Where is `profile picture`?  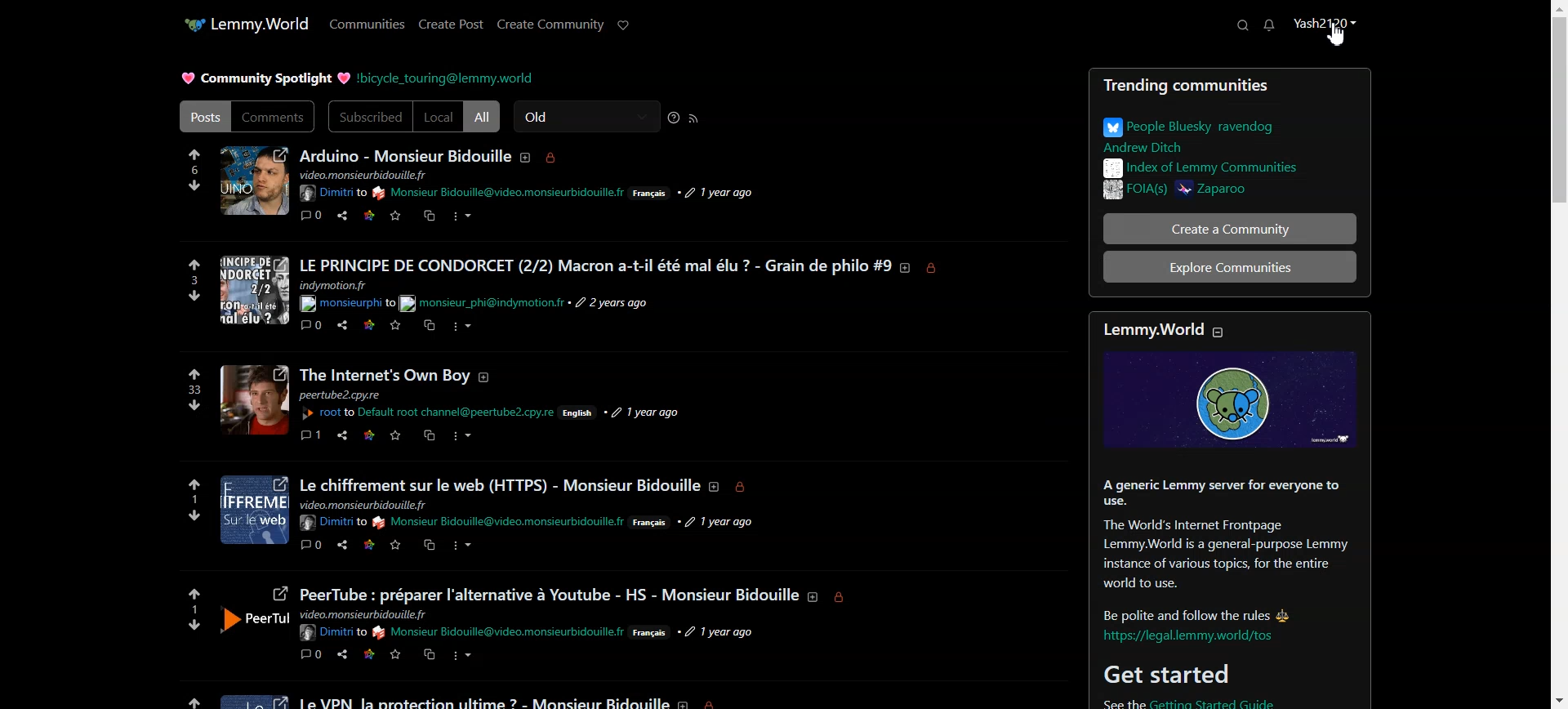
profile picture is located at coordinates (253, 512).